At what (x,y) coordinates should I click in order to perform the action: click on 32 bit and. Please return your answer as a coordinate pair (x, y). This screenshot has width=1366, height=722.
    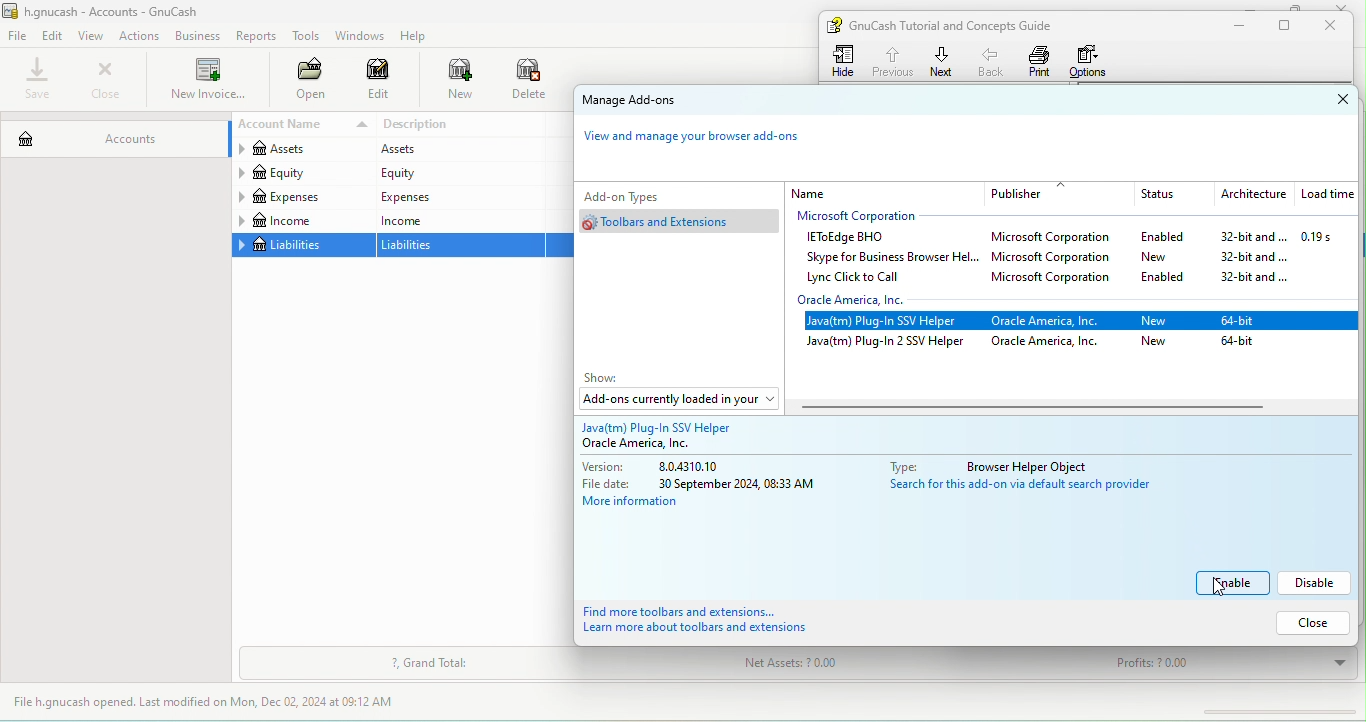
    Looking at the image, I should click on (1246, 237).